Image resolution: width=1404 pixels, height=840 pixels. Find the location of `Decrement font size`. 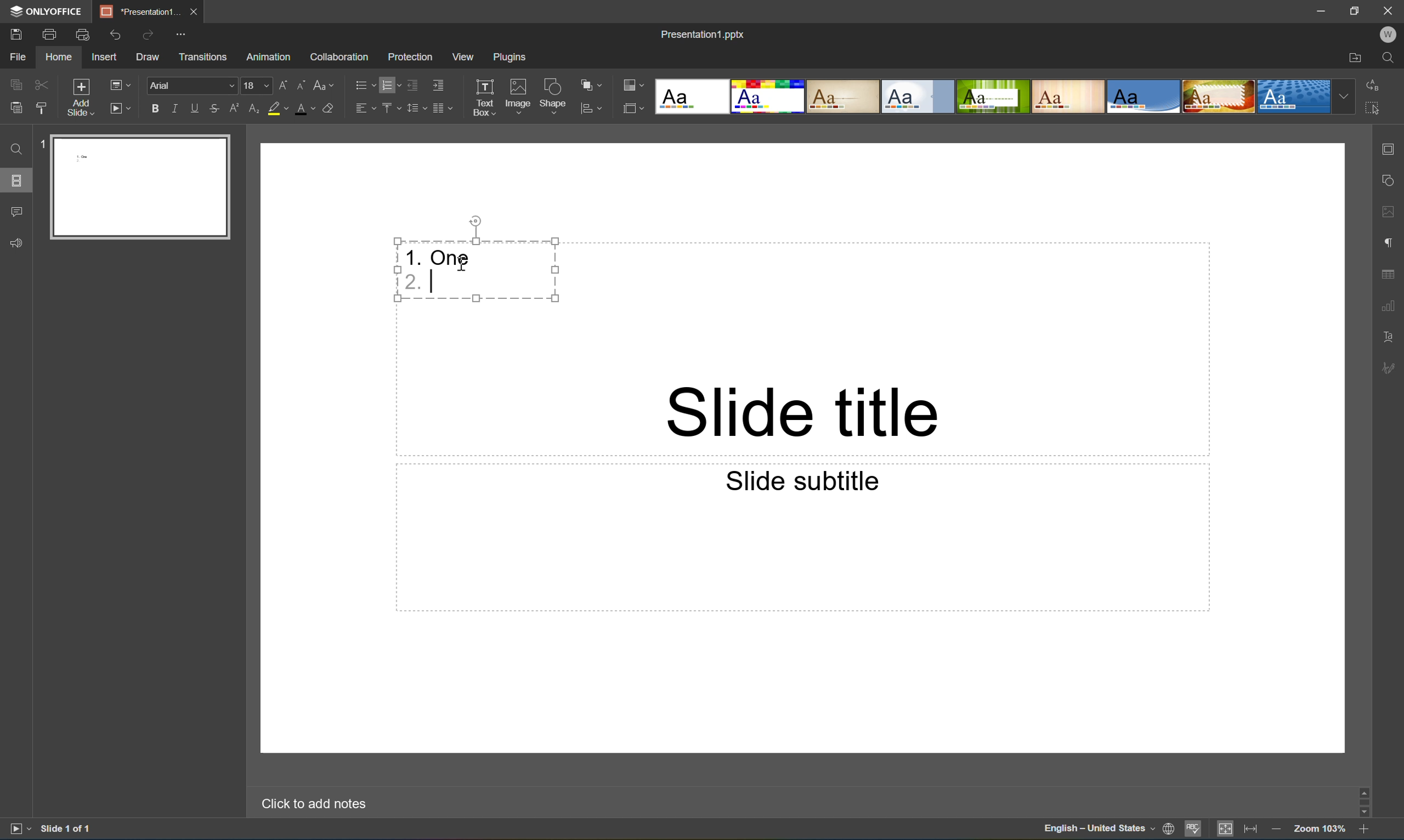

Decrement font size is located at coordinates (302, 84).